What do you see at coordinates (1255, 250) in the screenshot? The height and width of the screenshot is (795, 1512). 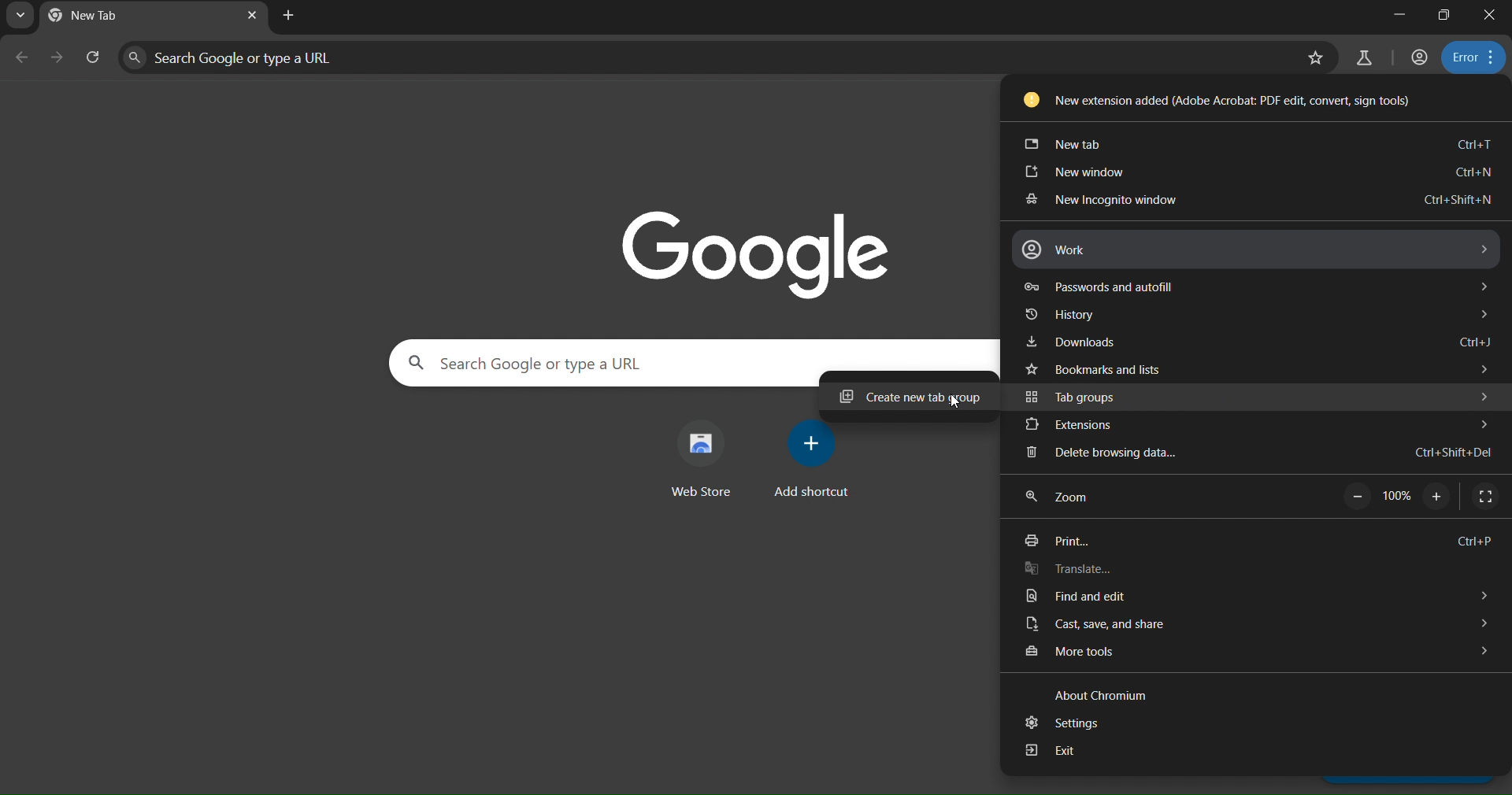 I see `work` at bounding box center [1255, 250].